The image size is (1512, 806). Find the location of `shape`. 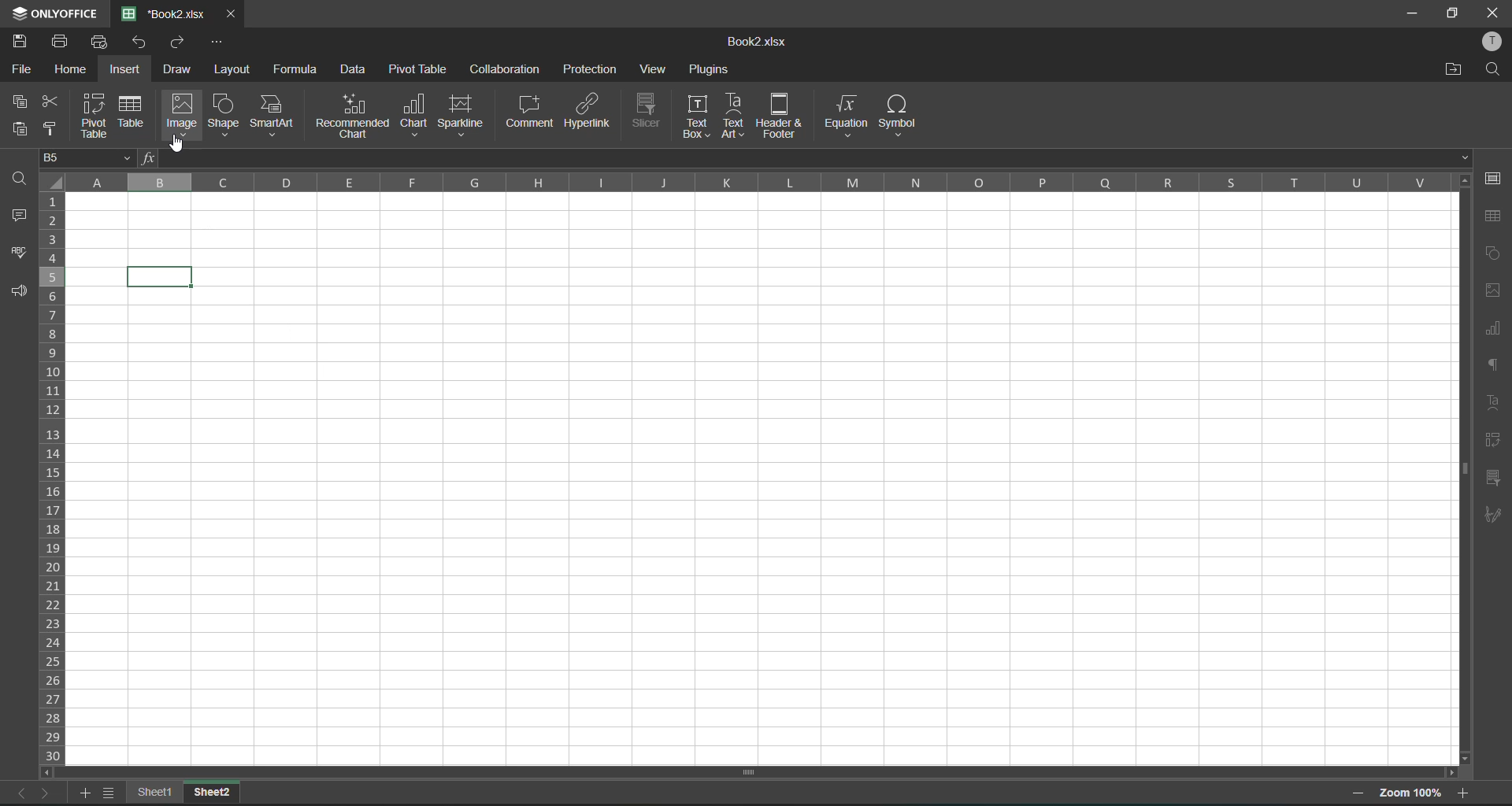

shape is located at coordinates (224, 115).